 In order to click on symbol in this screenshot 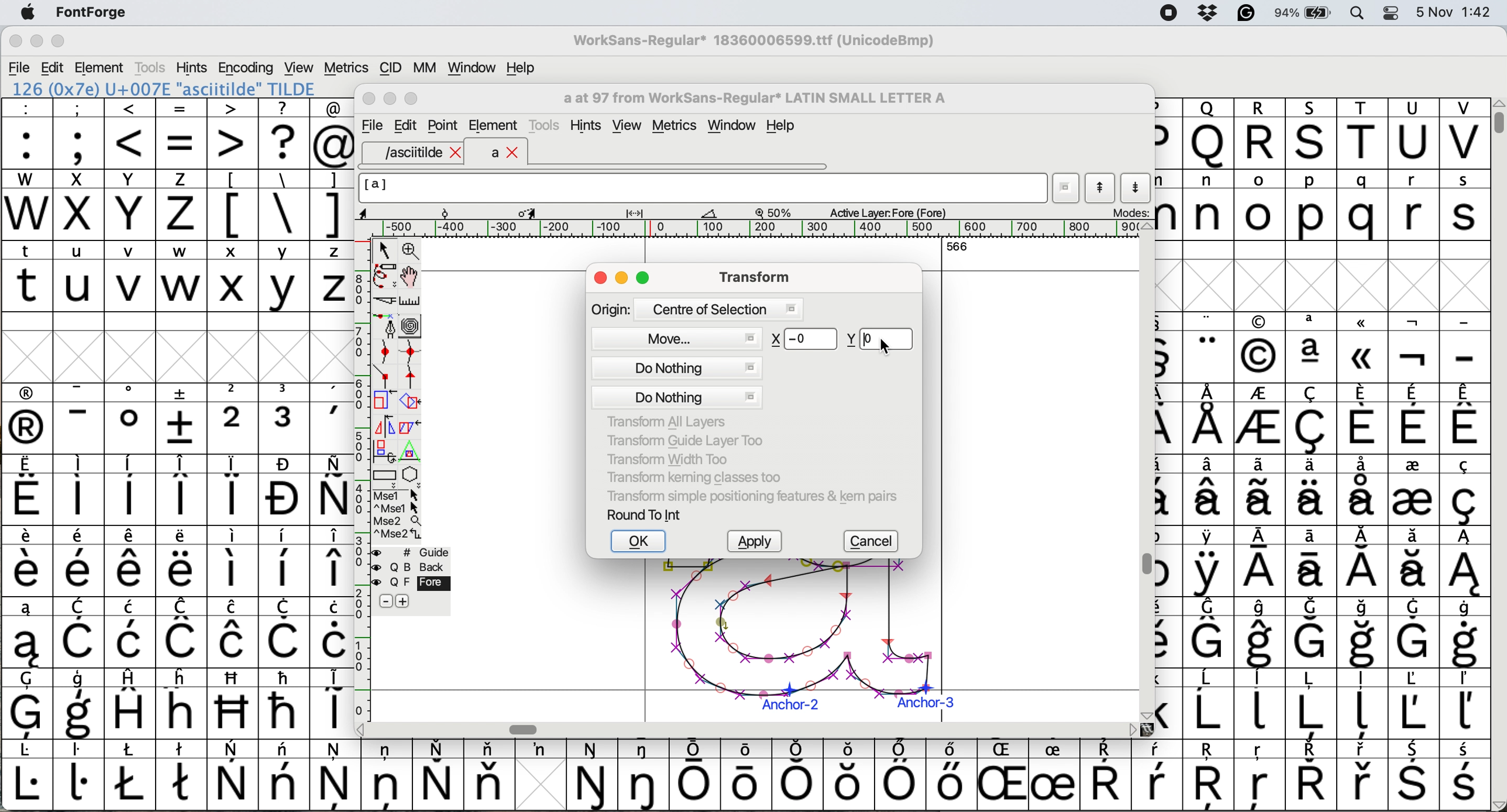, I will do `click(1365, 634)`.